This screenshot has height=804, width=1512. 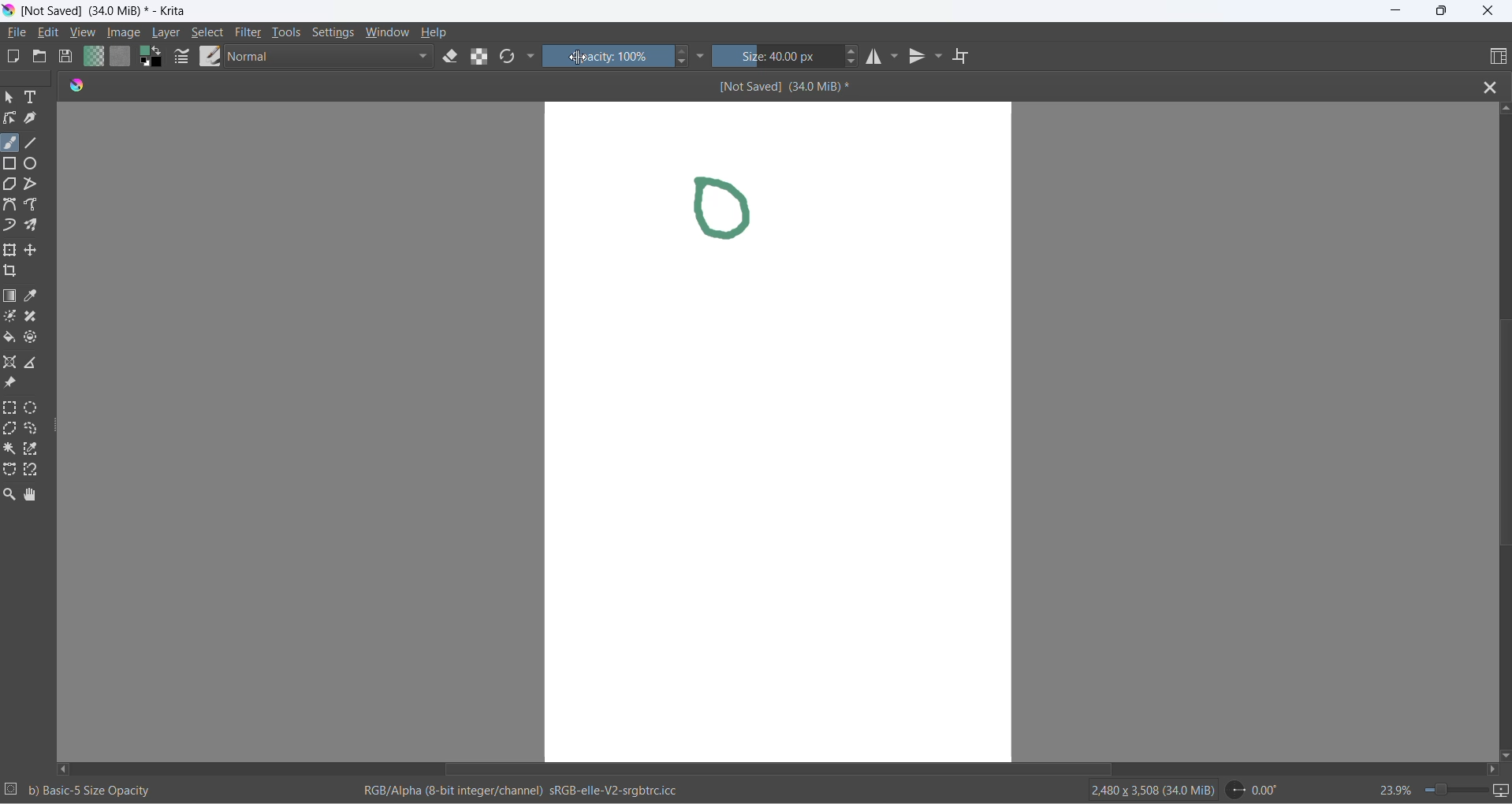 What do you see at coordinates (11, 297) in the screenshot?
I see `draw gradient` at bounding box center [11, 297].